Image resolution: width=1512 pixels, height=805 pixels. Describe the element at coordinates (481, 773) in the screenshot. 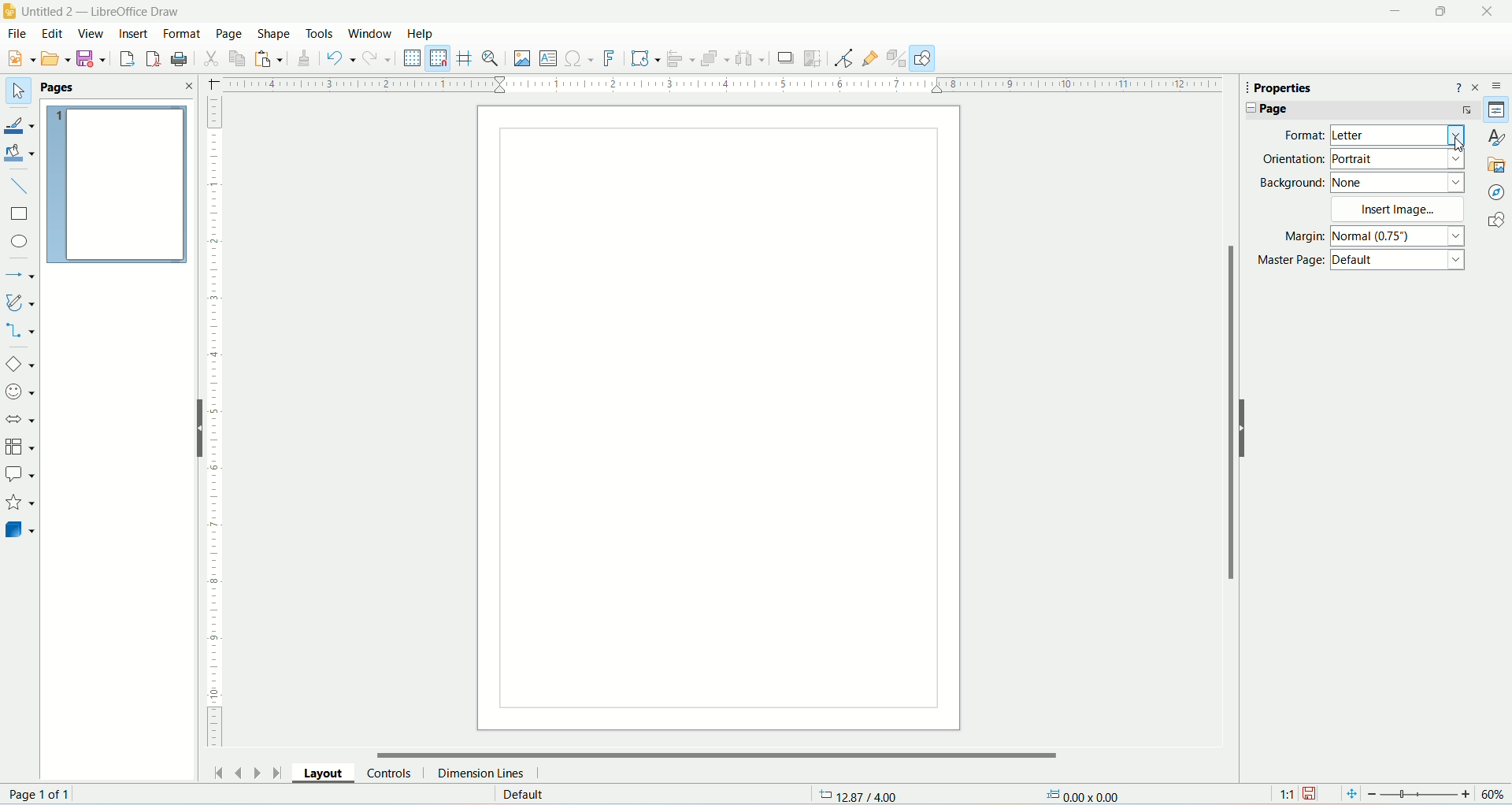

I see `dimension lines` at that location.